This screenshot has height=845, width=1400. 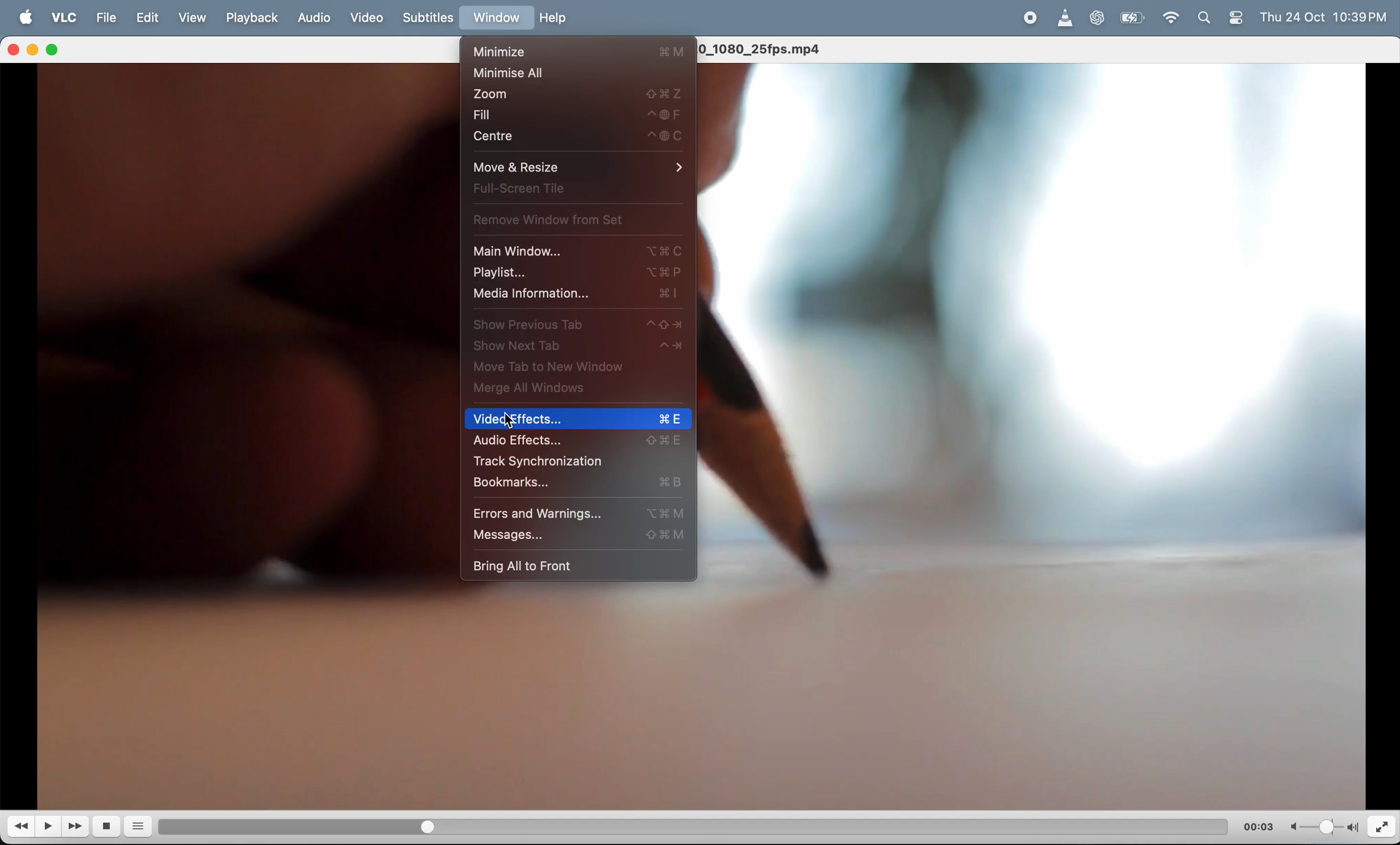 I want to click on vlc menu, so click(x=63, y=19).